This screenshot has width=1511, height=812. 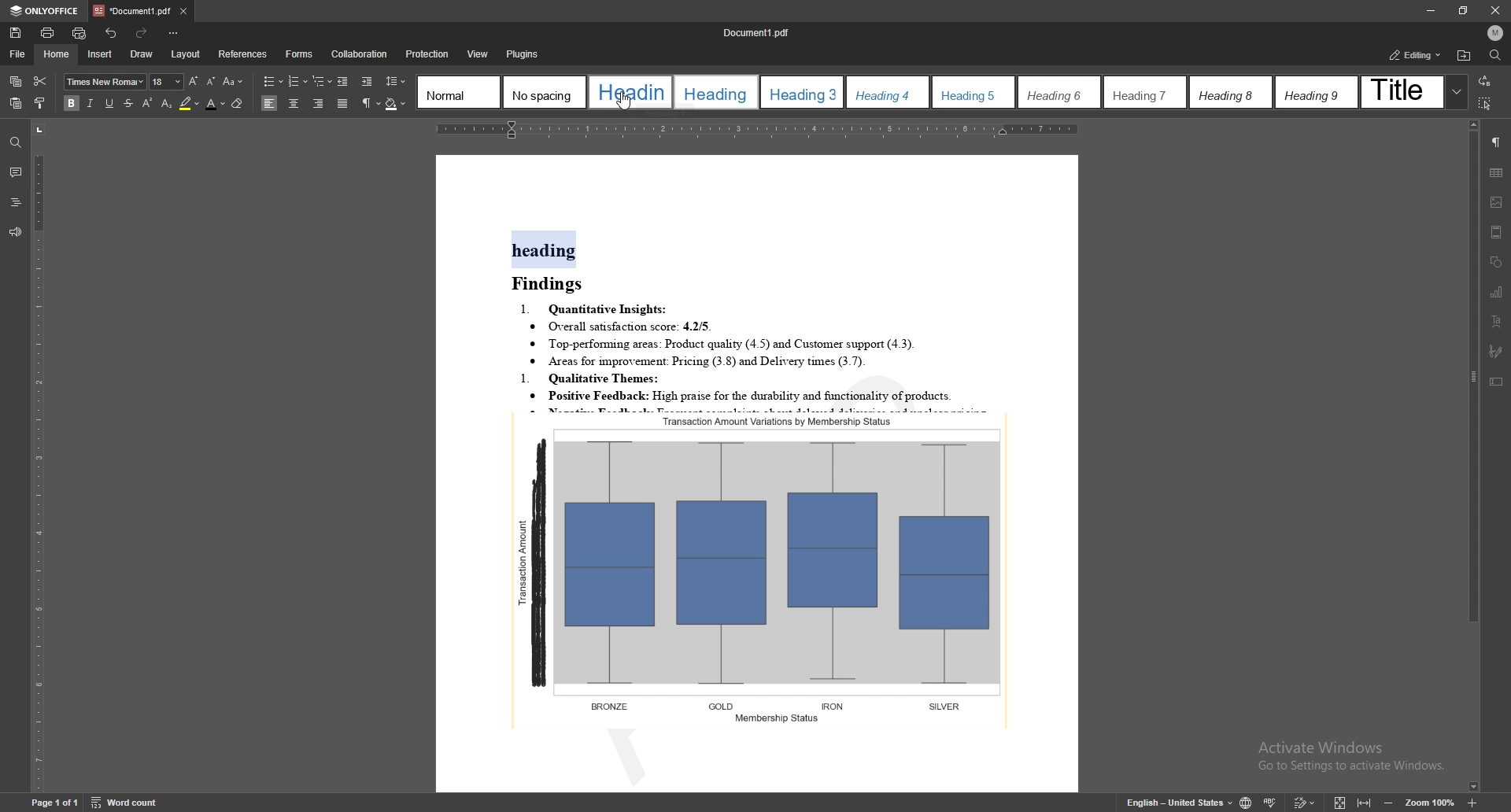 What do you see at coordinates (1496, 382) in the screenshot?
I see `text box` at bounding box center [1496, 382].